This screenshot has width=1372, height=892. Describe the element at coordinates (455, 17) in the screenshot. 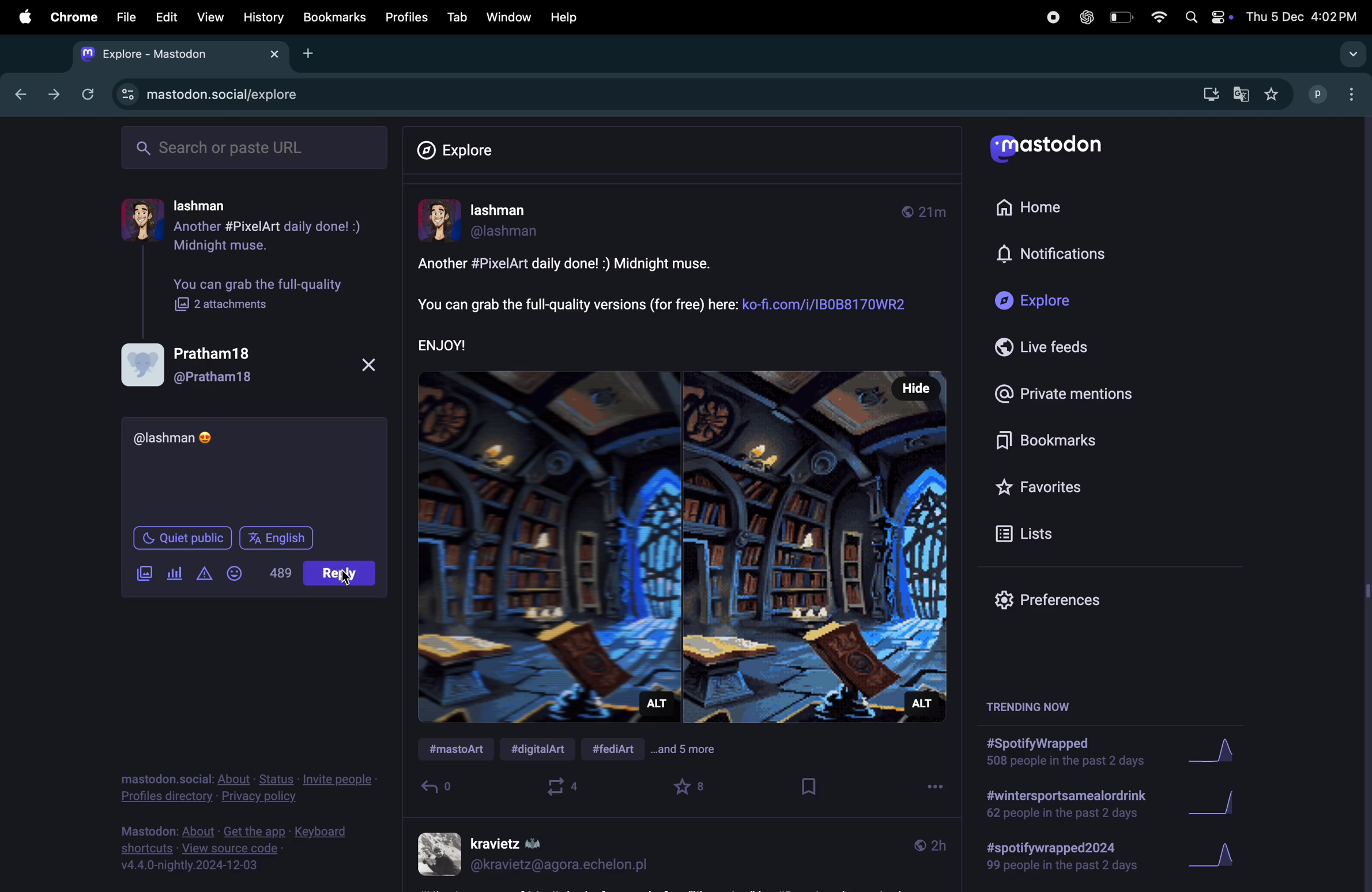

I see `tab` at that location.